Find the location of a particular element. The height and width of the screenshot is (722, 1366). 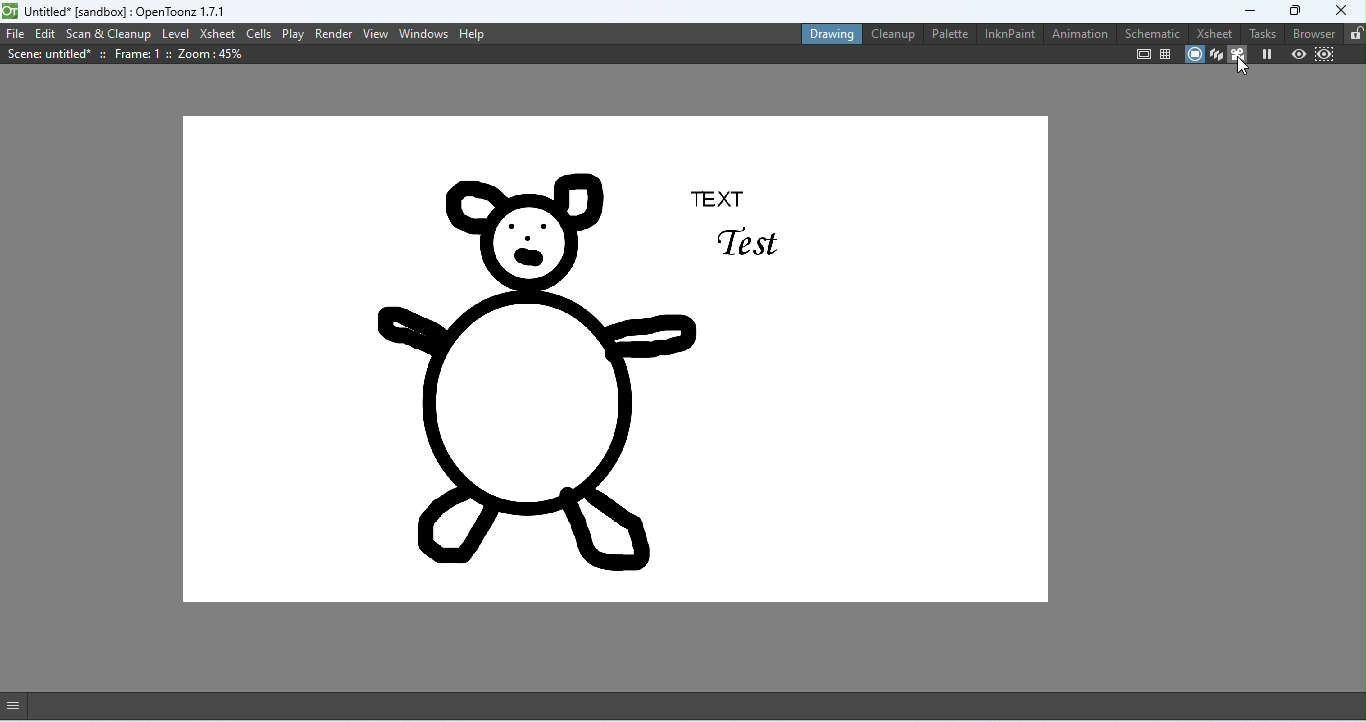

cursor is located at coordinates (1243, 67).